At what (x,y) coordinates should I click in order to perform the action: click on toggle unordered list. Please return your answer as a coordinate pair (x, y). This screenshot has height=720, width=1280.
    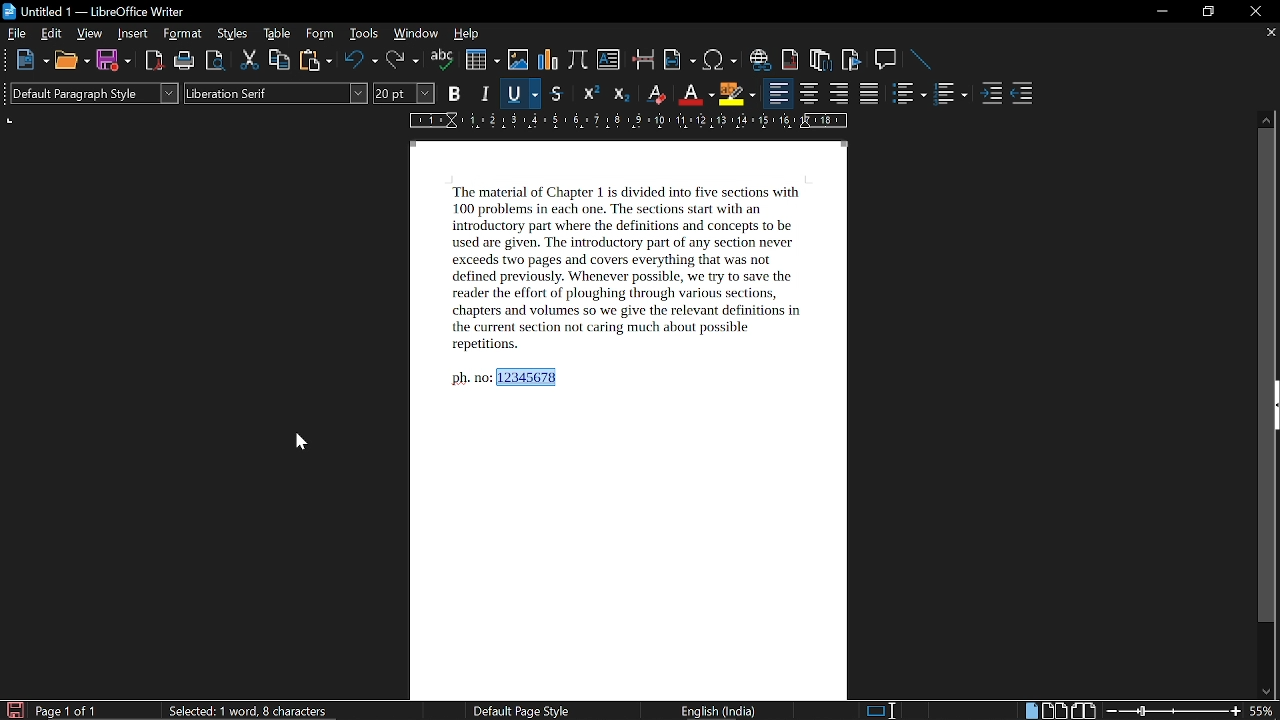
    Looking at the image, I should click on (909, 96).